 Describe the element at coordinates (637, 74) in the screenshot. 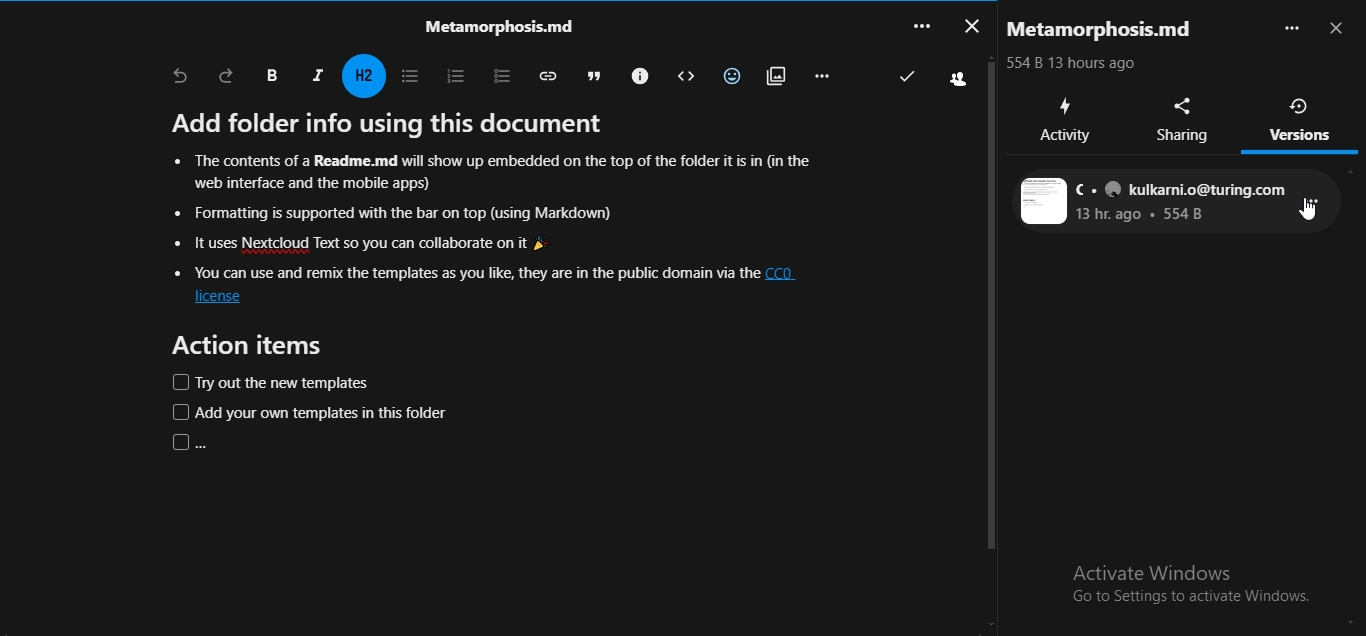

I see `callouts` at that location.